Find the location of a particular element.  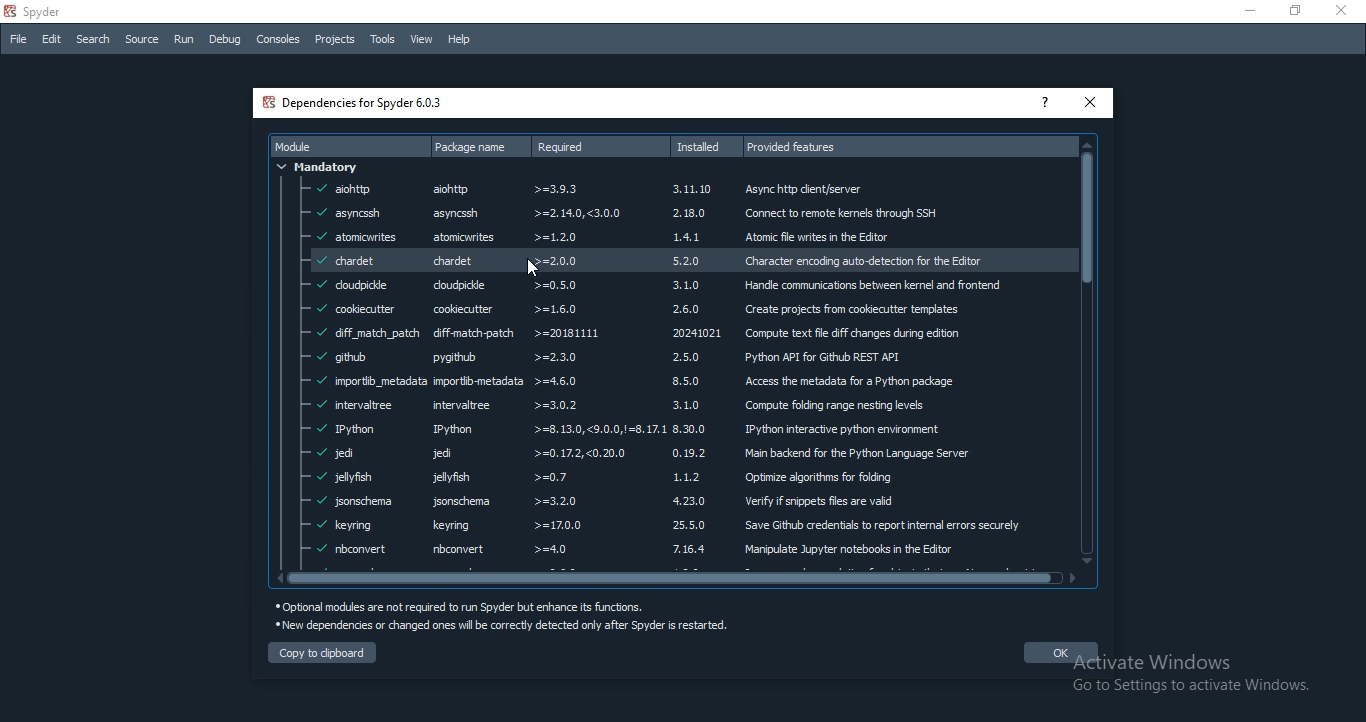

scroll bar is located at coordinates (683, 577).